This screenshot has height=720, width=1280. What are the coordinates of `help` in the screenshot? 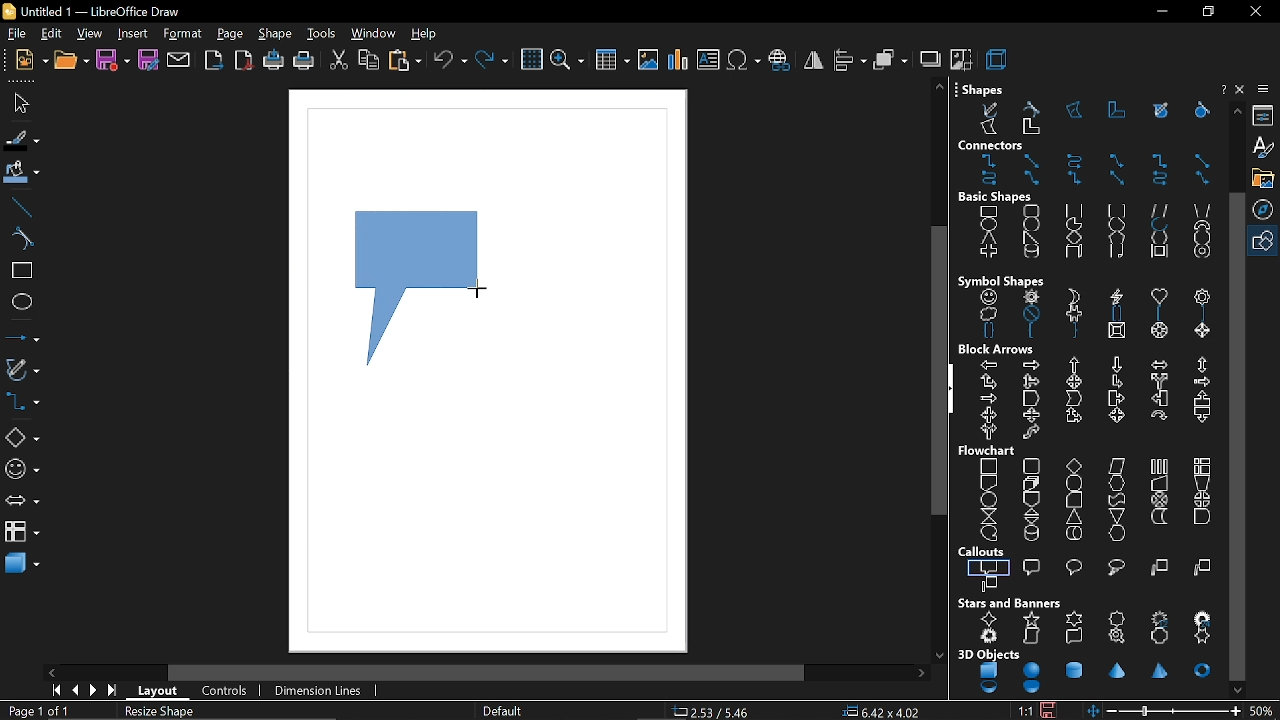 It's located at (429, 35).